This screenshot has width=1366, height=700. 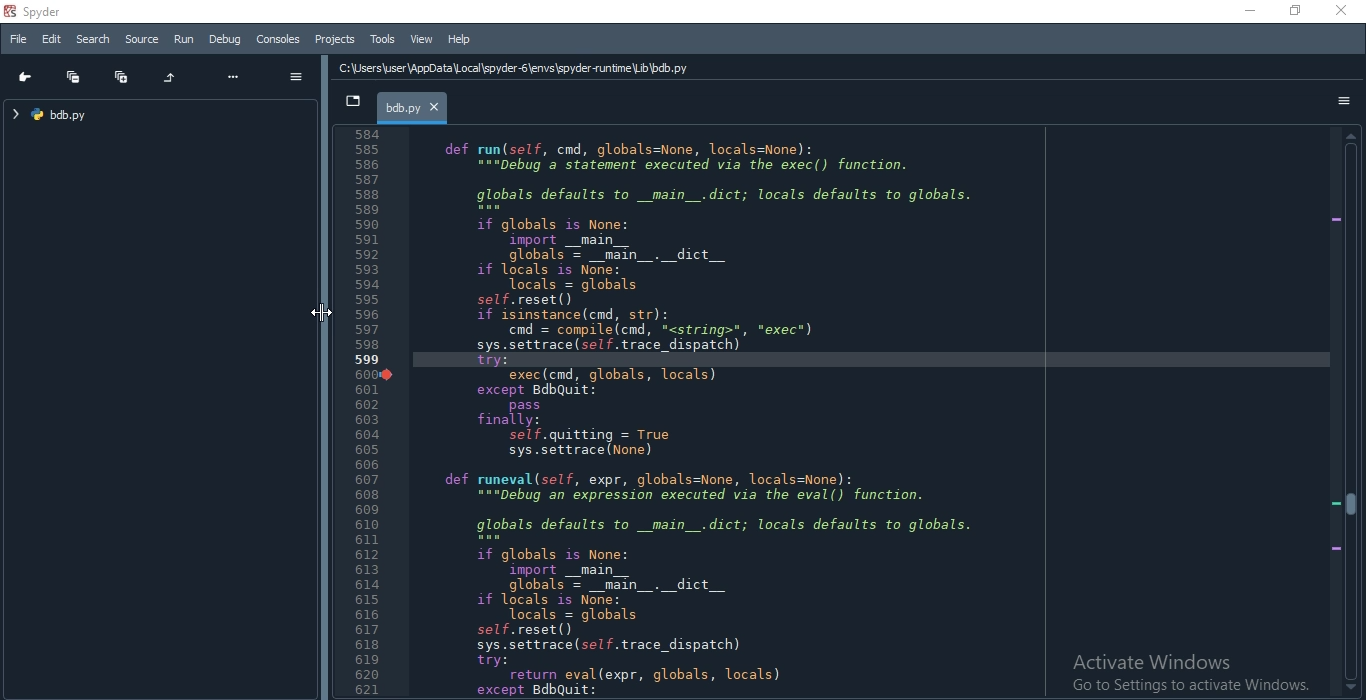 What do you see at coordinates (170, 78) in the screenshot?
I see `Restore original tree layout` at bounding box center [170, 78].